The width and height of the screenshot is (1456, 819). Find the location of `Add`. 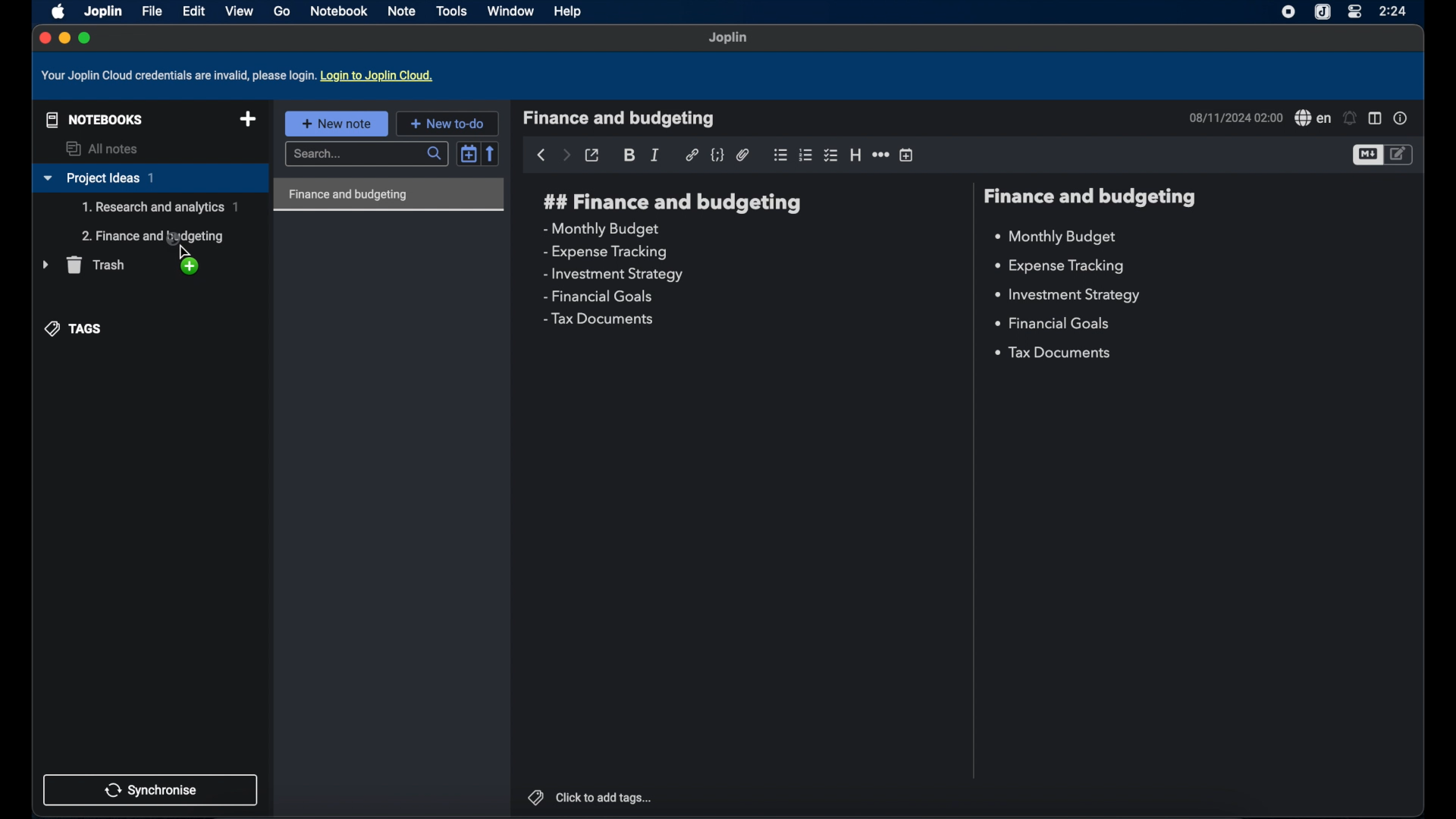

Add is located at coordinates (196, 269).